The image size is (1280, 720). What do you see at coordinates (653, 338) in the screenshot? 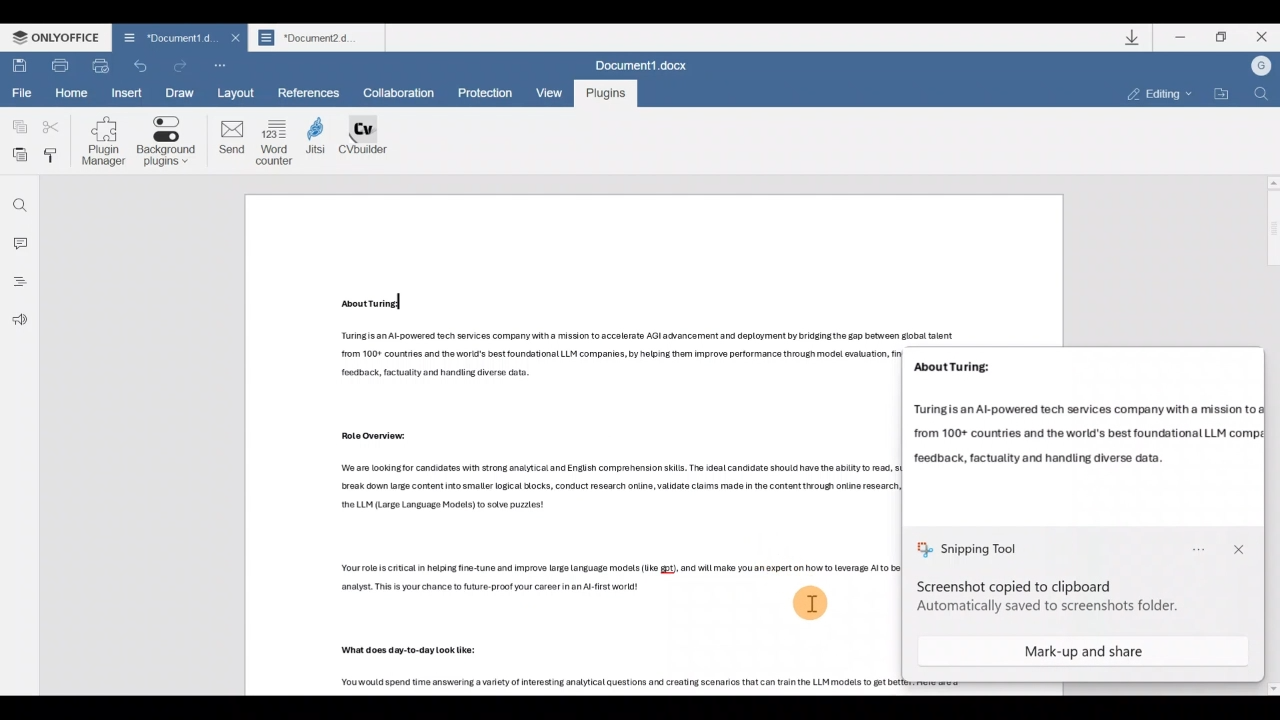
I see `` at bounding box center [653, 338].